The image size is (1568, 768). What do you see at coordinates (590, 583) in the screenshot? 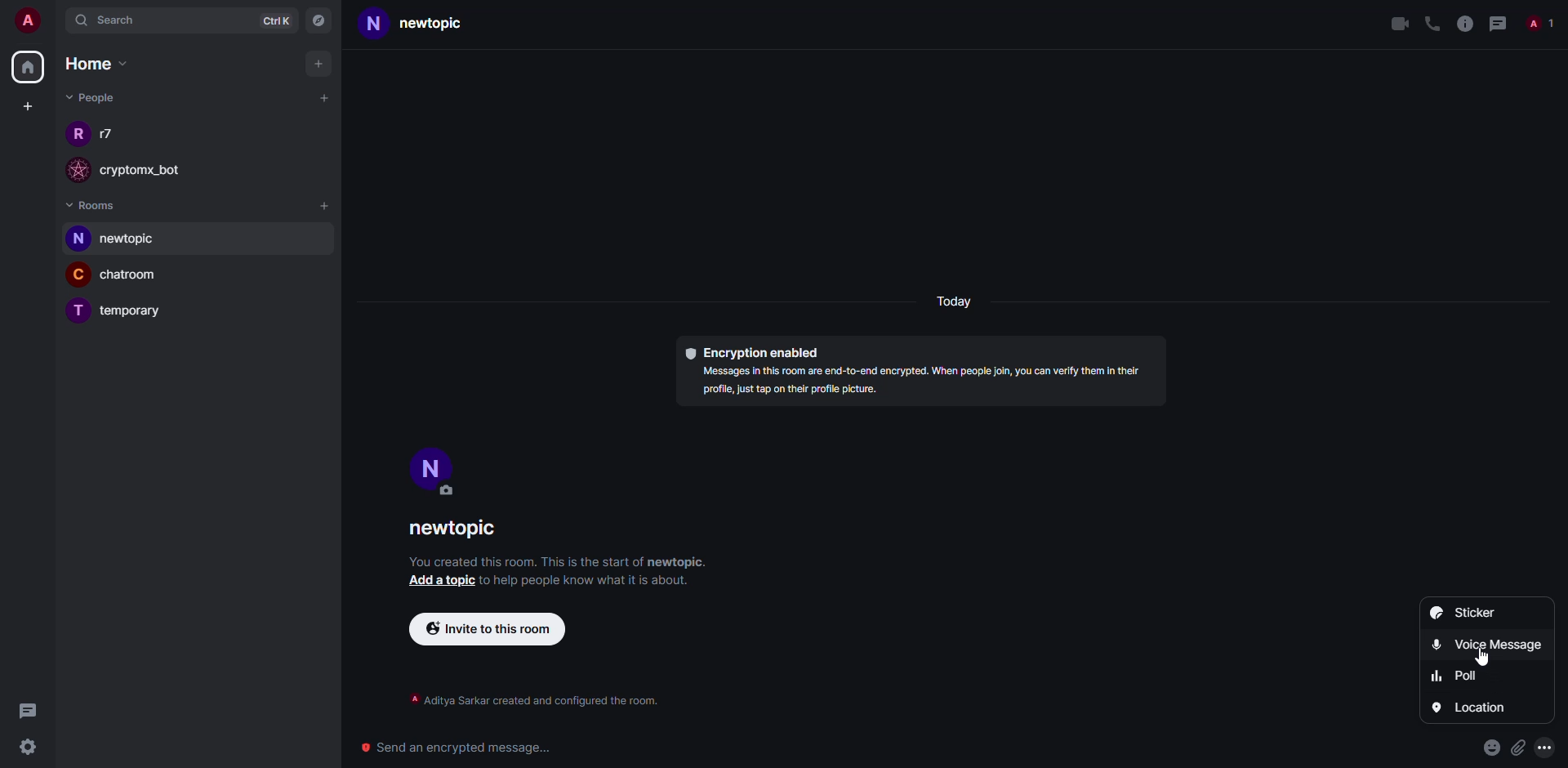
I see `info` at bounding box center [590, 583].